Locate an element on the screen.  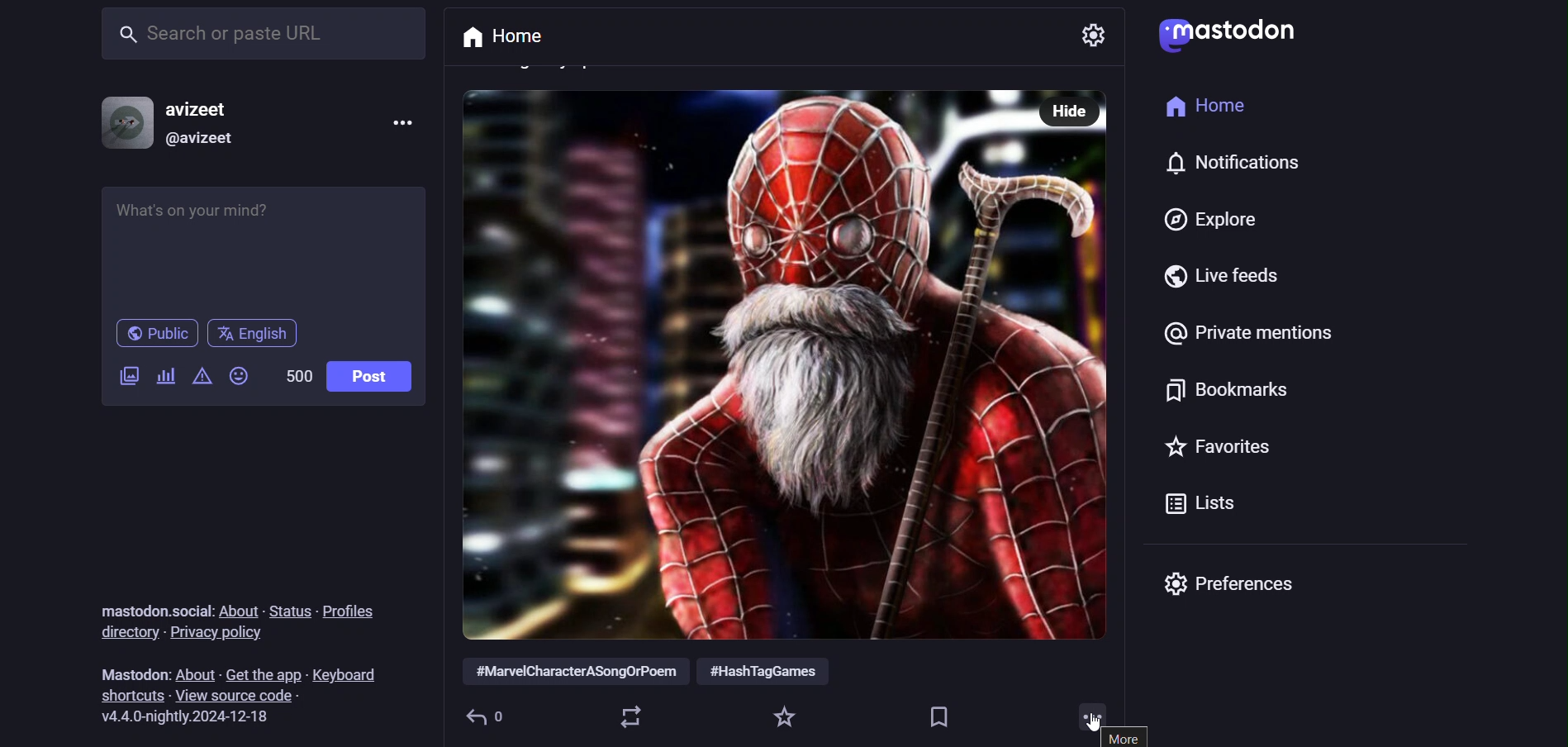
post picture is located at coordinates (744, 364).